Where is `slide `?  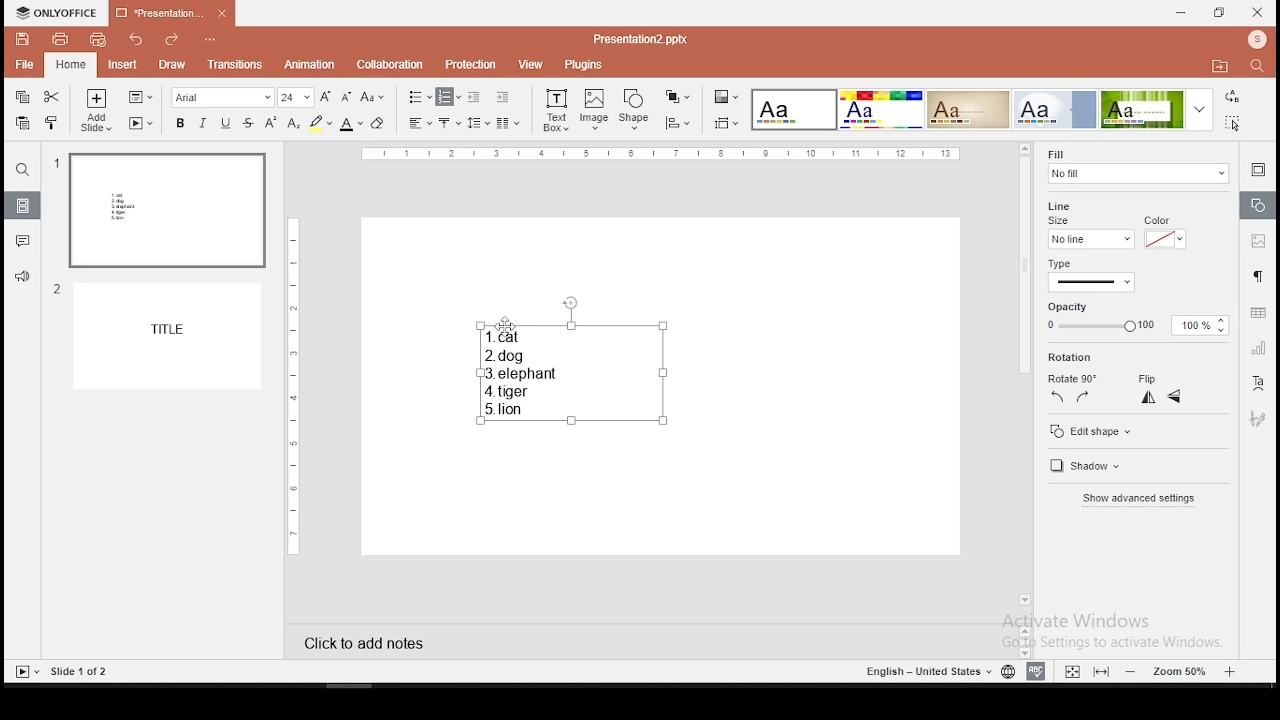
slide  is located at coordinates (172, 337).